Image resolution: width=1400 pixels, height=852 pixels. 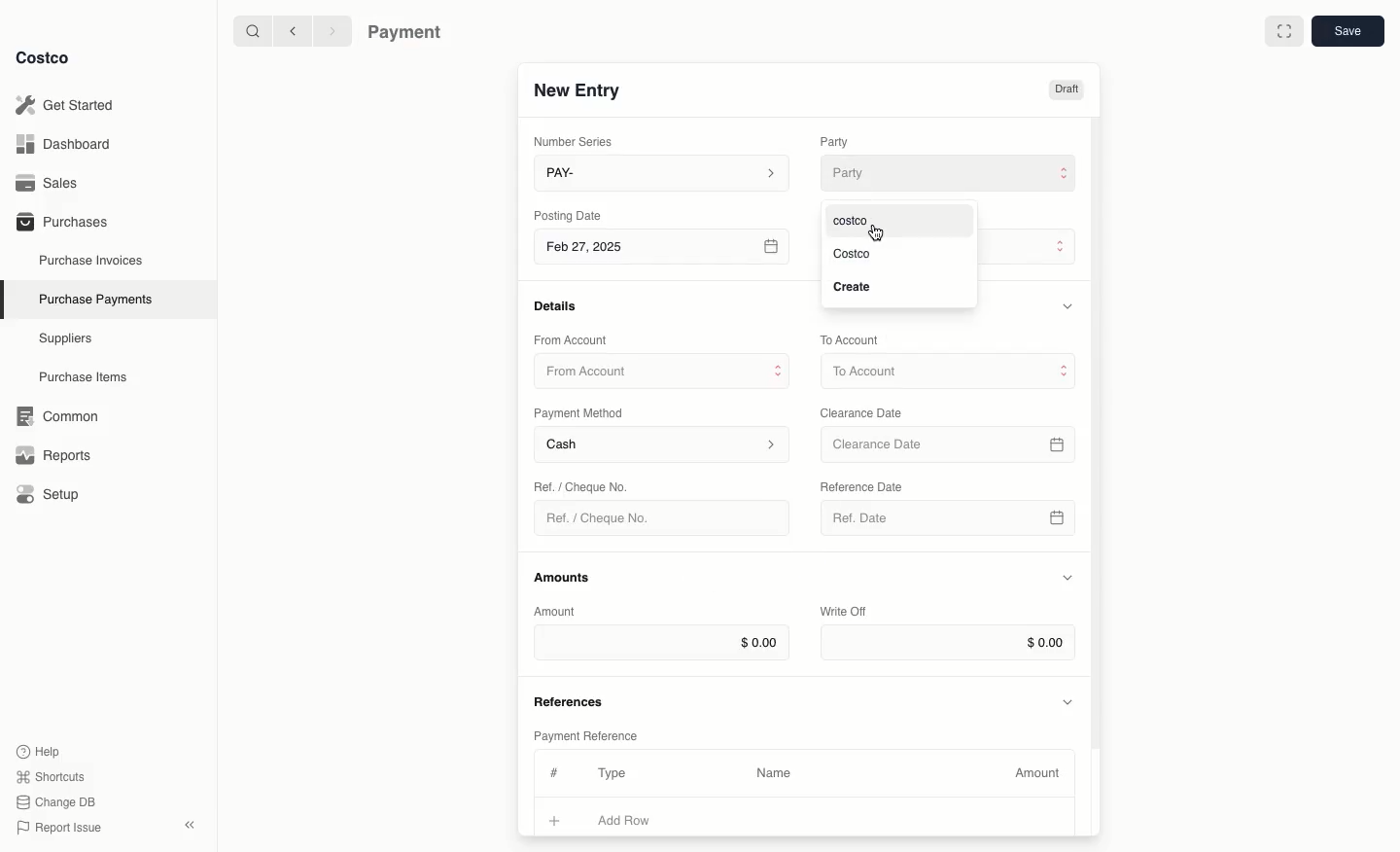 What do you see at coordinates (42, 57) in the screenshot?
I see `Costco` at bounding box center [42, 57].